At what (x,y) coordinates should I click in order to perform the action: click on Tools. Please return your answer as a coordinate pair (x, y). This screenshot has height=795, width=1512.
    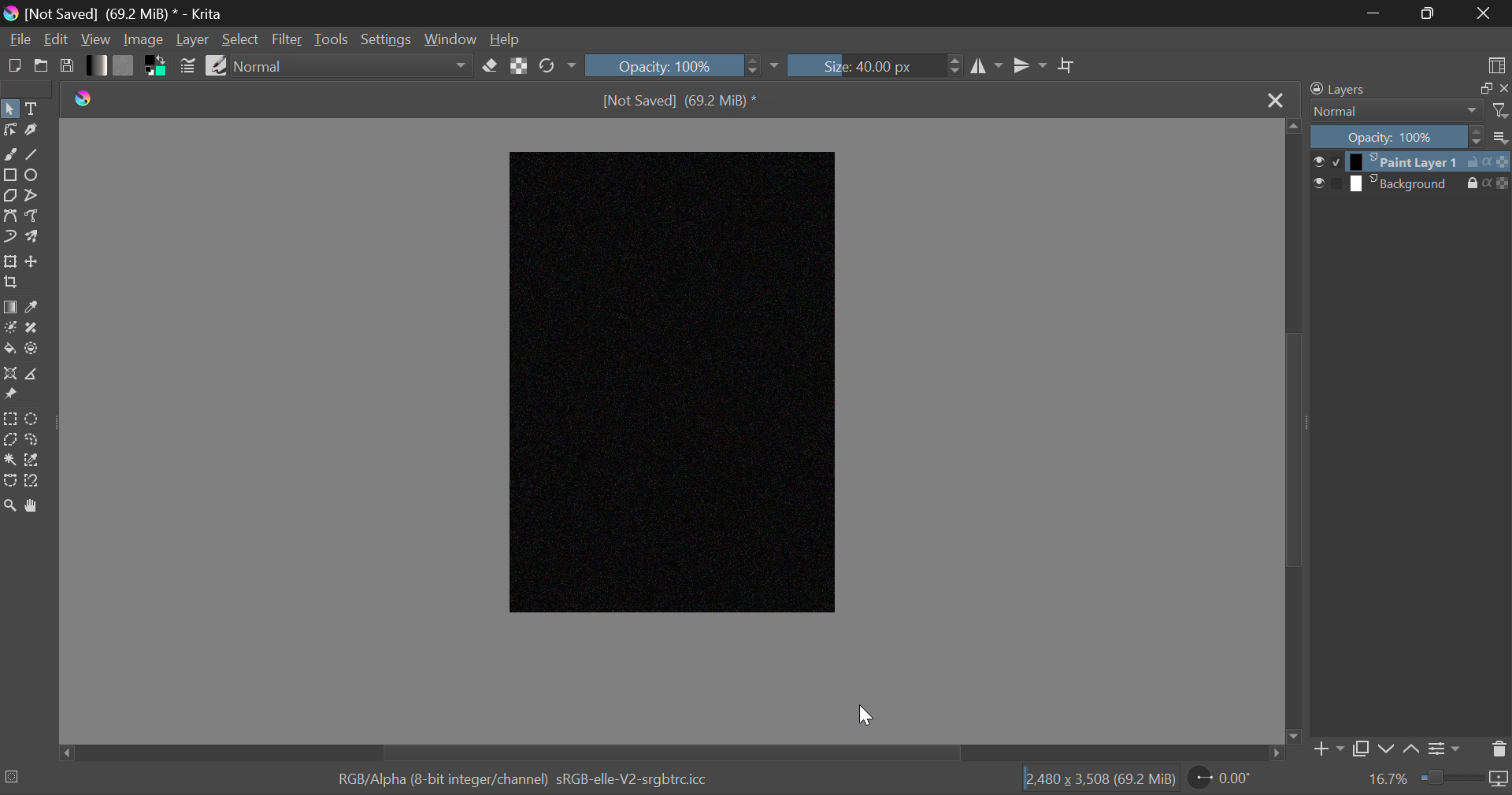
    Looking at the image, I should click on (332, 38).